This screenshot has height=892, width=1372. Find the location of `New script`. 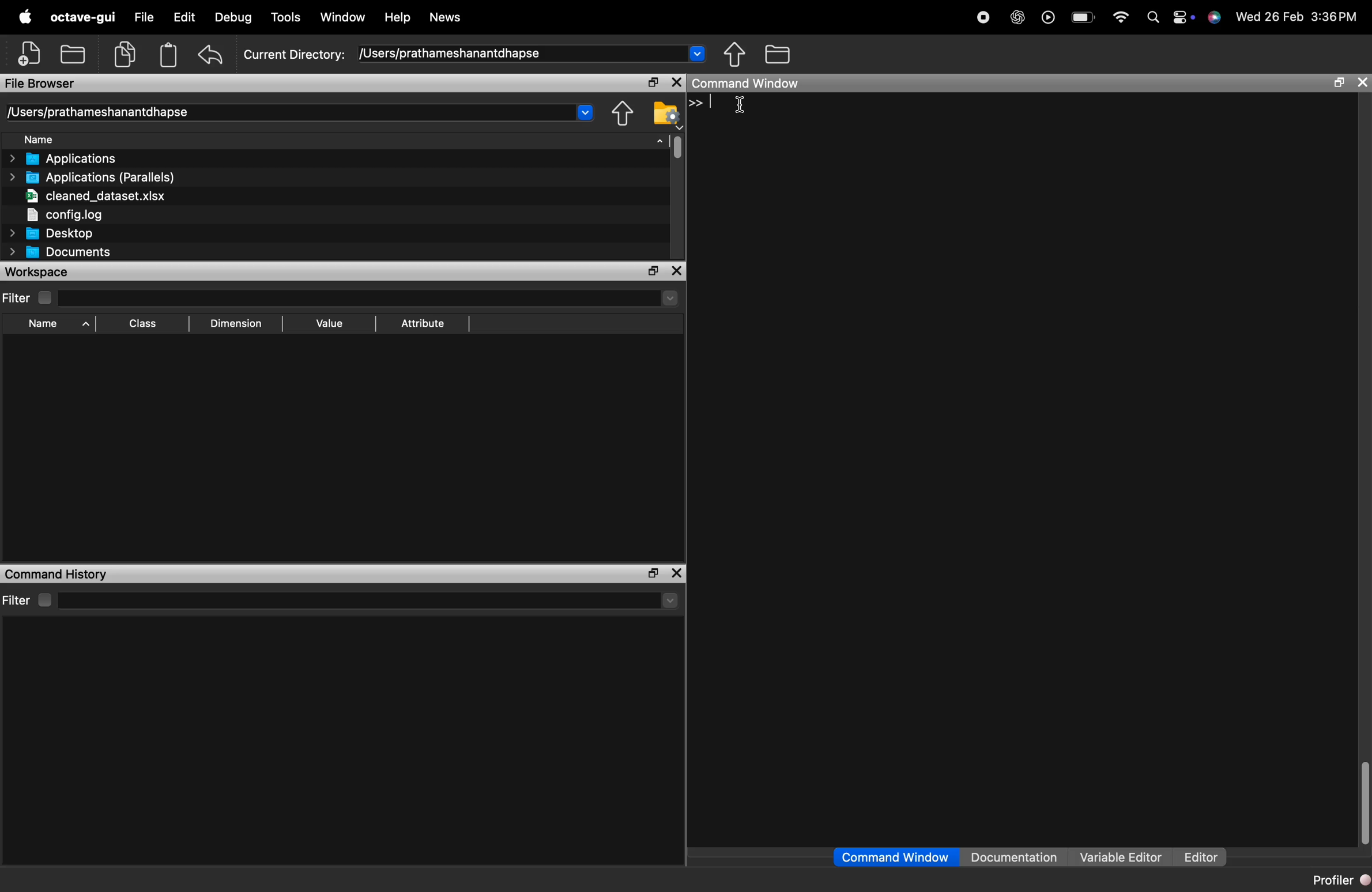

New script is located at coordinates (28, 52).